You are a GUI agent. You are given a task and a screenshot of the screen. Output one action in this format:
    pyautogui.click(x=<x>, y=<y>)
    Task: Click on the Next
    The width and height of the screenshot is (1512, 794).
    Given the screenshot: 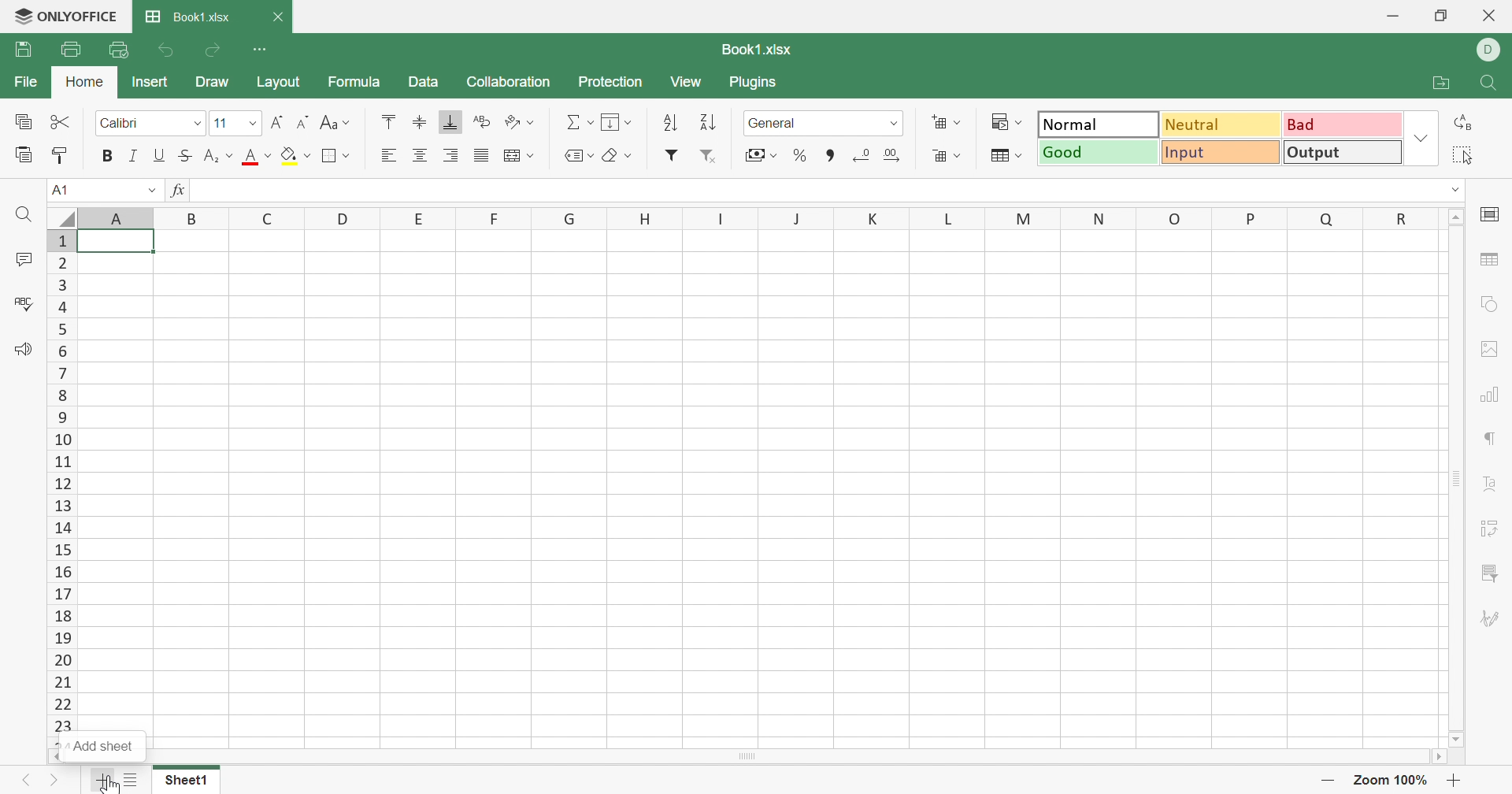 What is the action you would take?
    pyautogui.click(x=54, y=777)
    